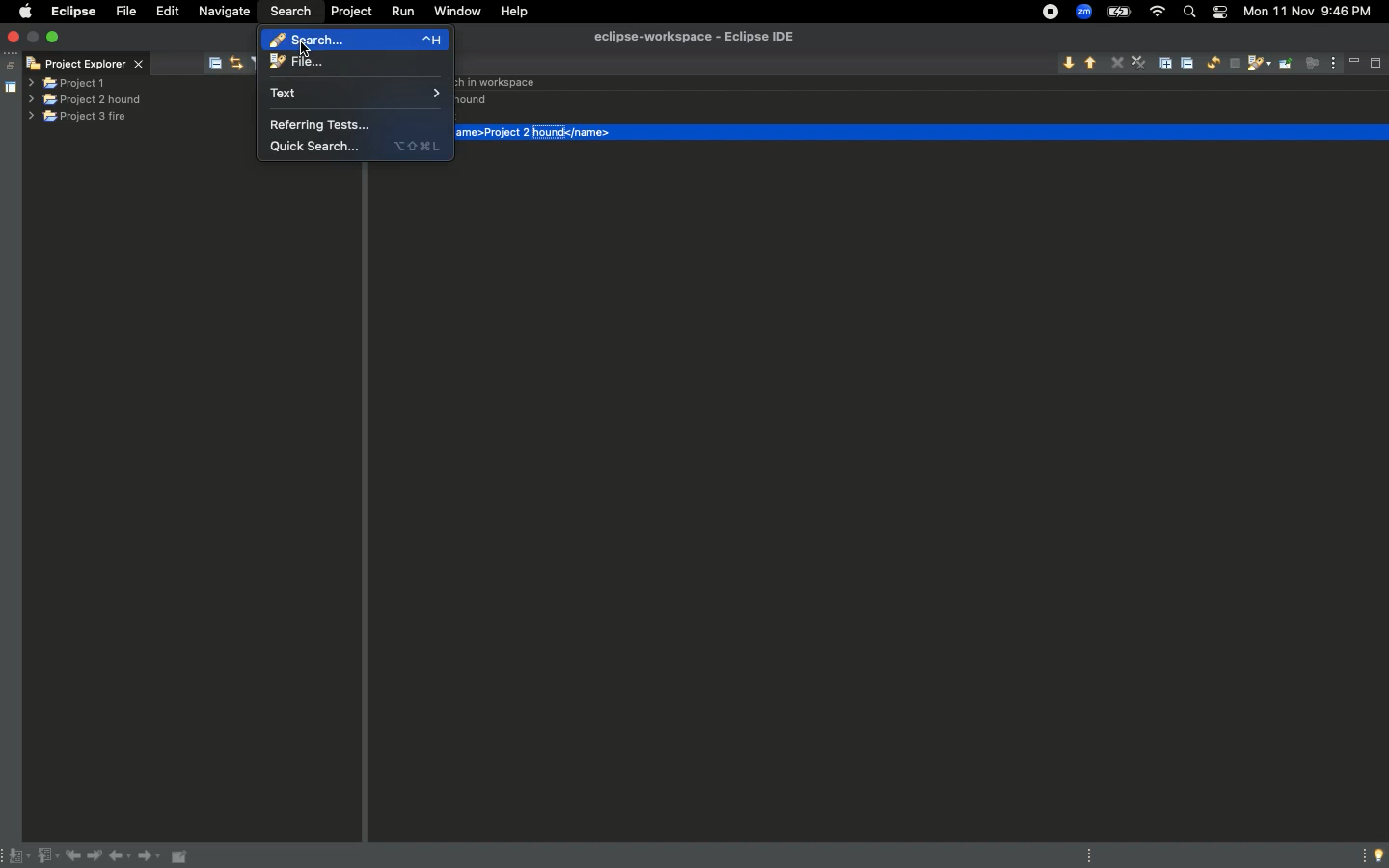 This screenshot has height=868, width=1389. I want to click on ch in workspace, so click(500, 83).